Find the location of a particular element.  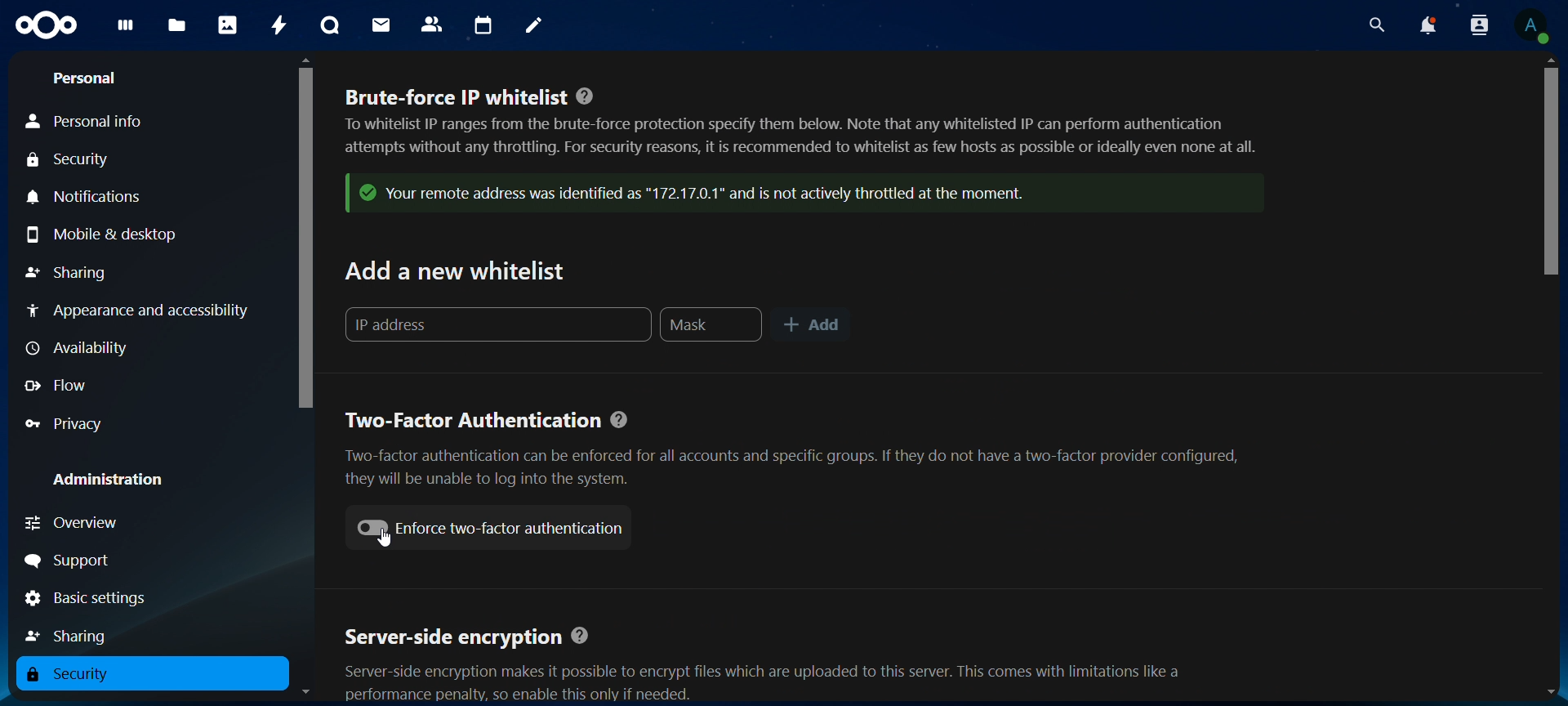

mobile & desktop is located at coordinates (104, 236).